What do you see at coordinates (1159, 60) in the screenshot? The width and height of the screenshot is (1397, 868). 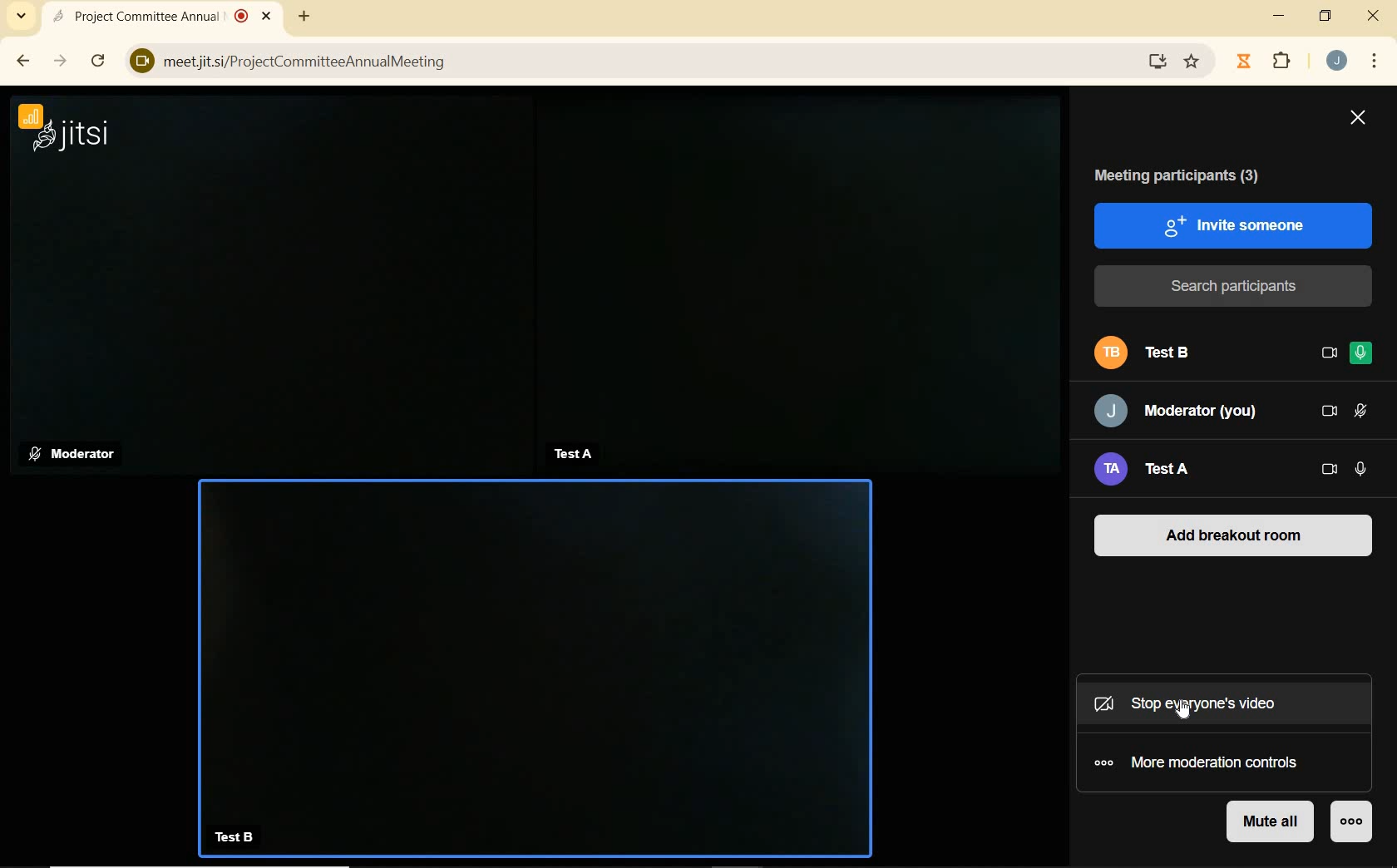 I see `download website` at bounding box center [1159, 60].